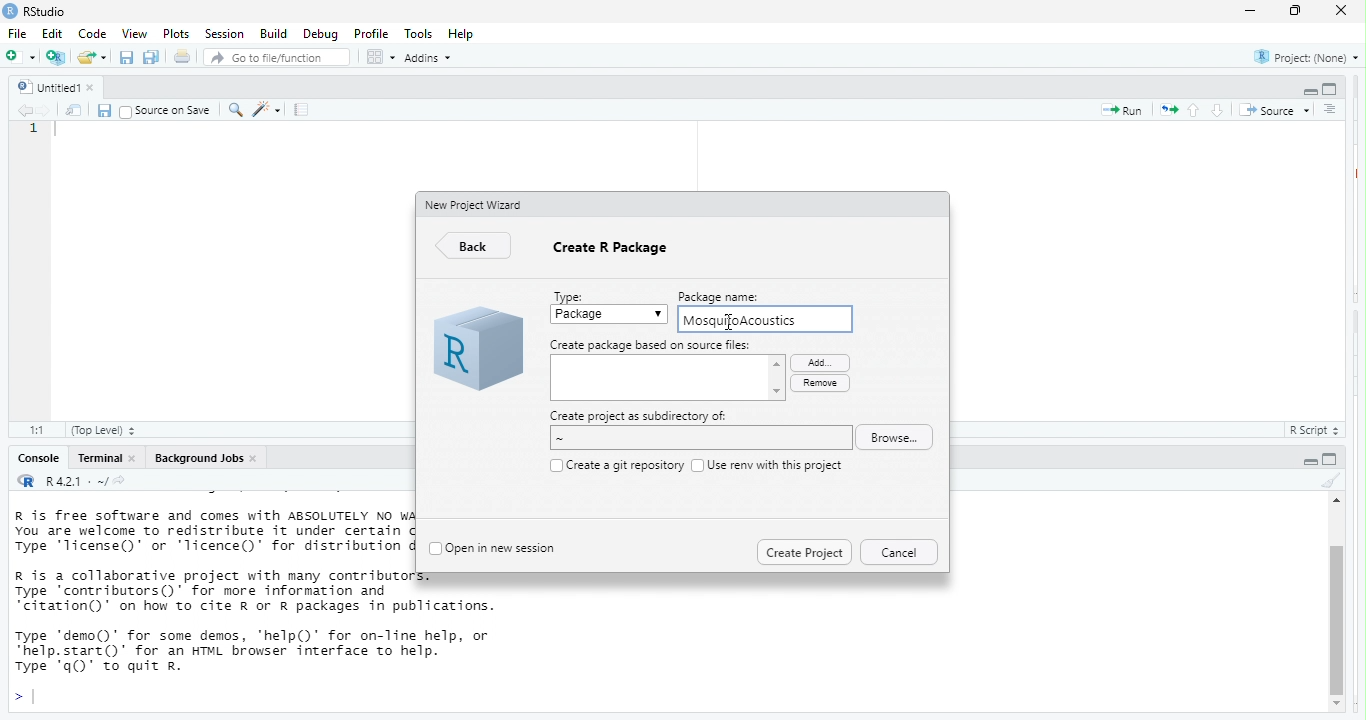 The image size is (1366, 720). Describe the element at coordinates (624, 464) in the screenshot. I see `Create a git repository` at that location.